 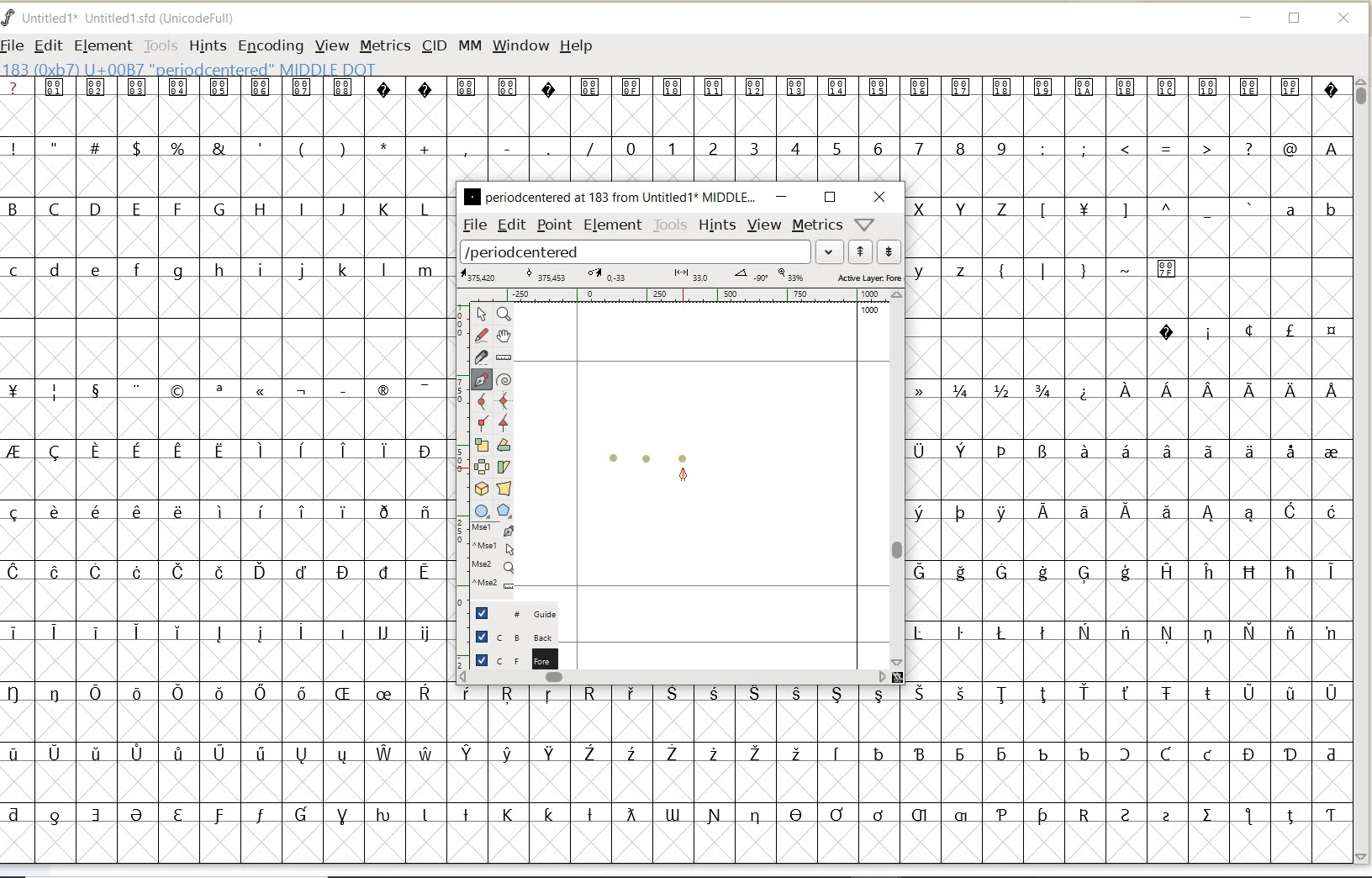 I want to click on dot, so click(x=685, y=456).